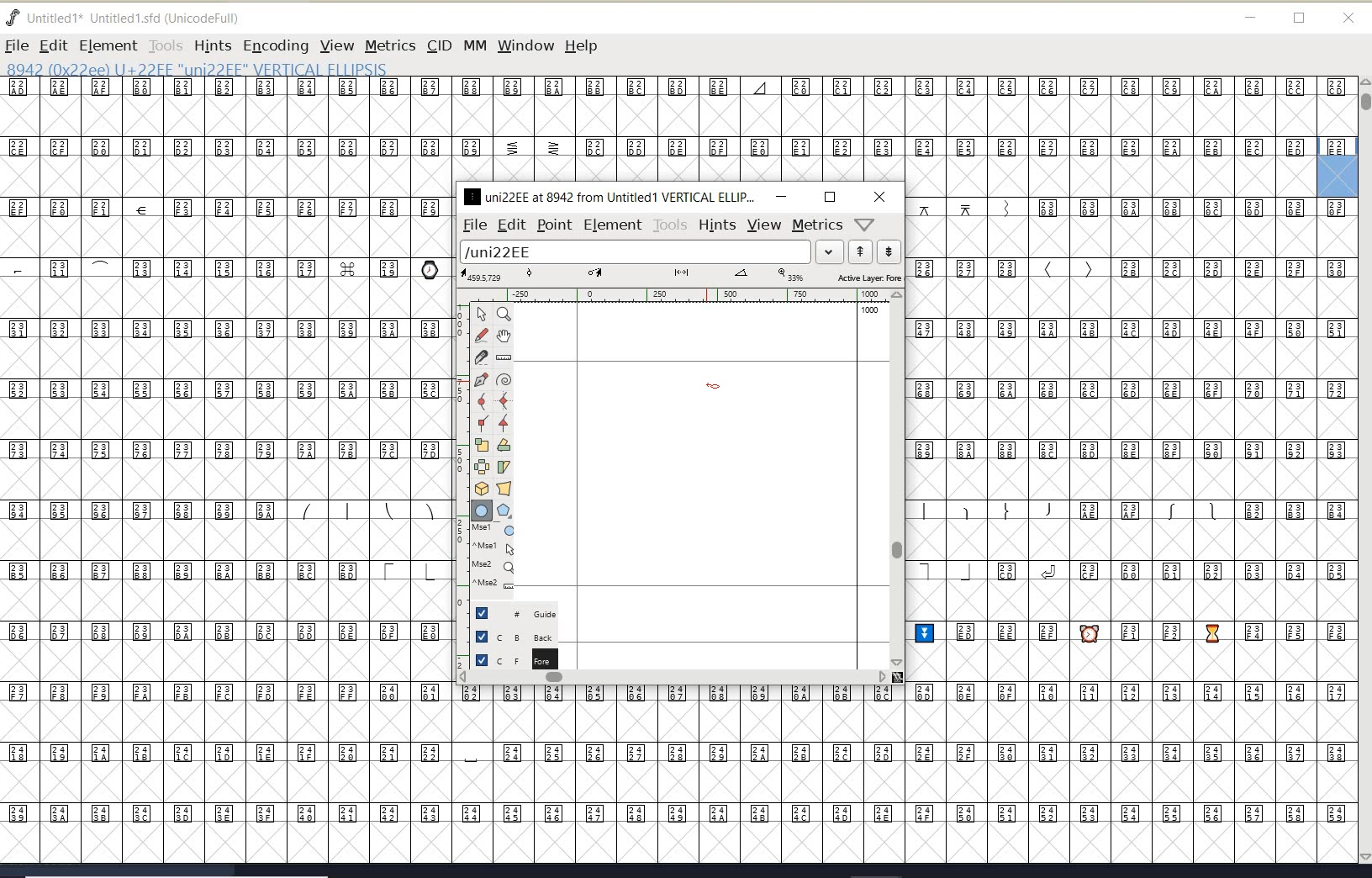 This screenshot has height=878, width=1372. Describe the element at coordinates (1251, 18) in the screenshot. I see `minimize` at that location.